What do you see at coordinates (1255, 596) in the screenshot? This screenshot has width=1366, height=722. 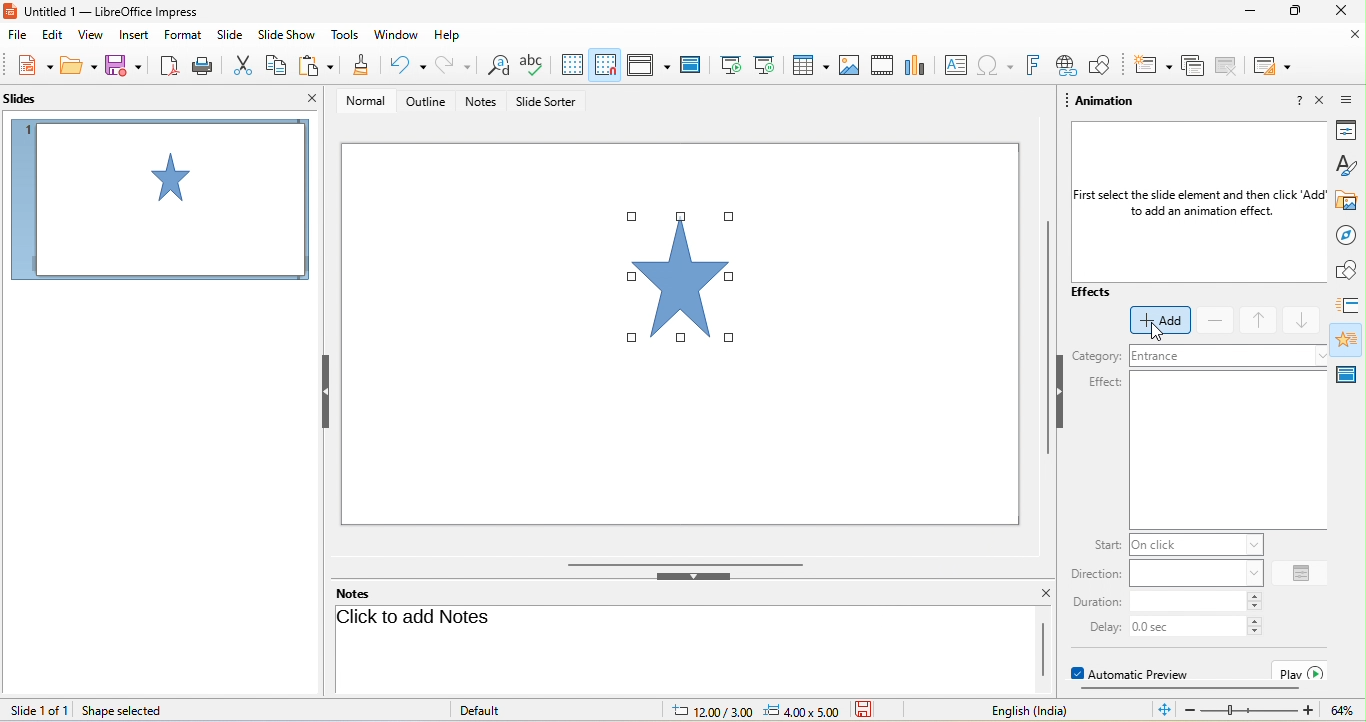 I see `increase duration` at bounding box center [1255, 596].